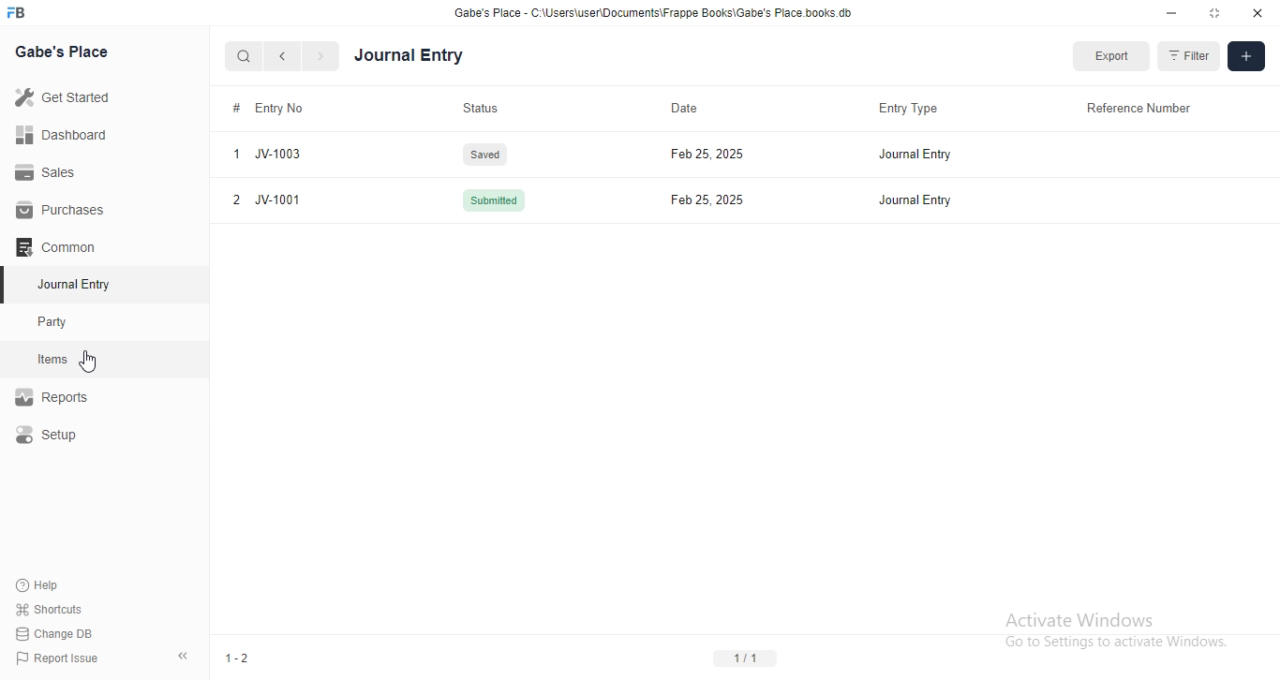  What do you see at coordinates (46, 585) in the screenshot?
I see `Help` at bounding box center [46, 585].